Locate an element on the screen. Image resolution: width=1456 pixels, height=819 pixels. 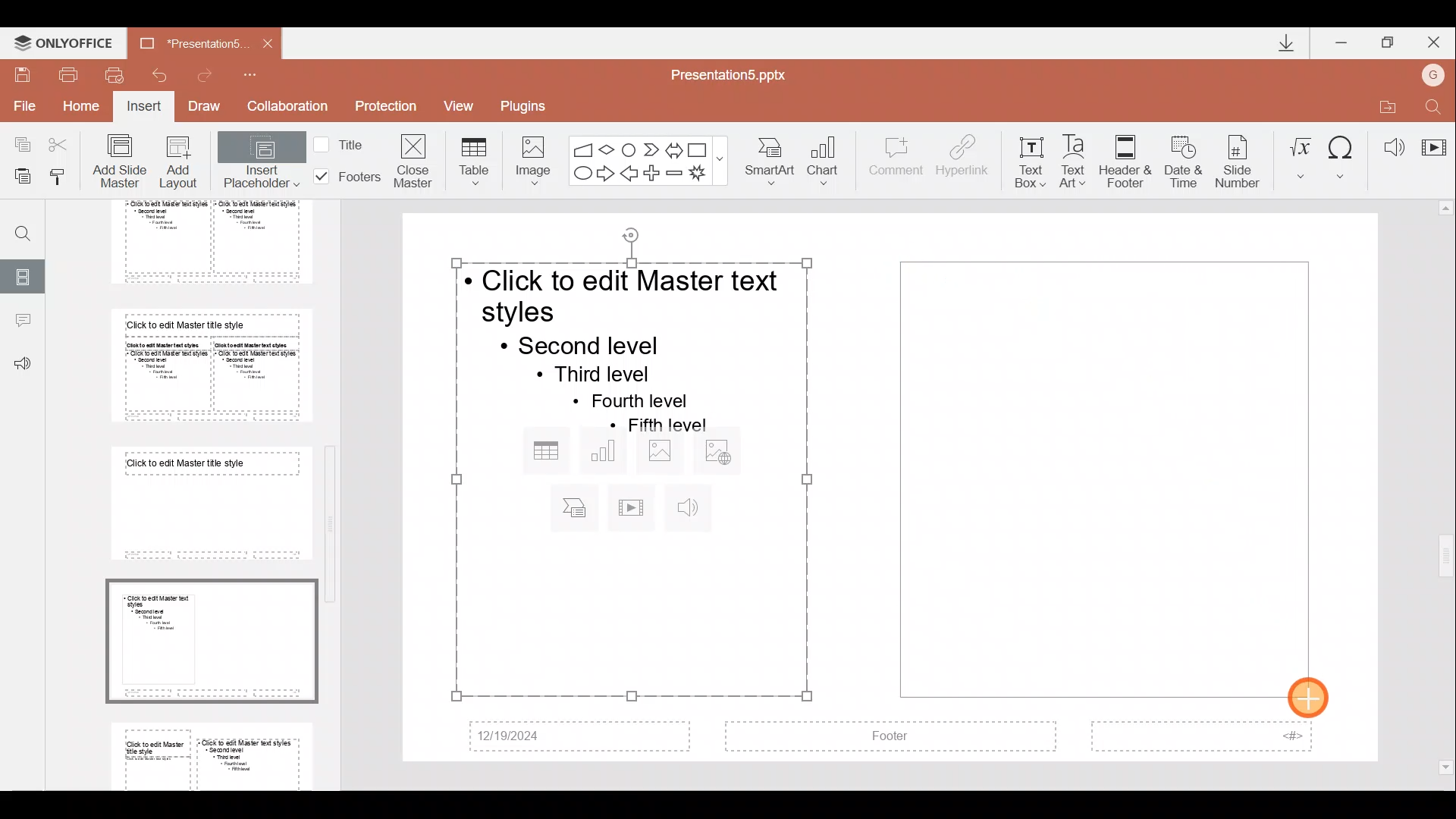
SmartArt is located at coordinates (773, 162).